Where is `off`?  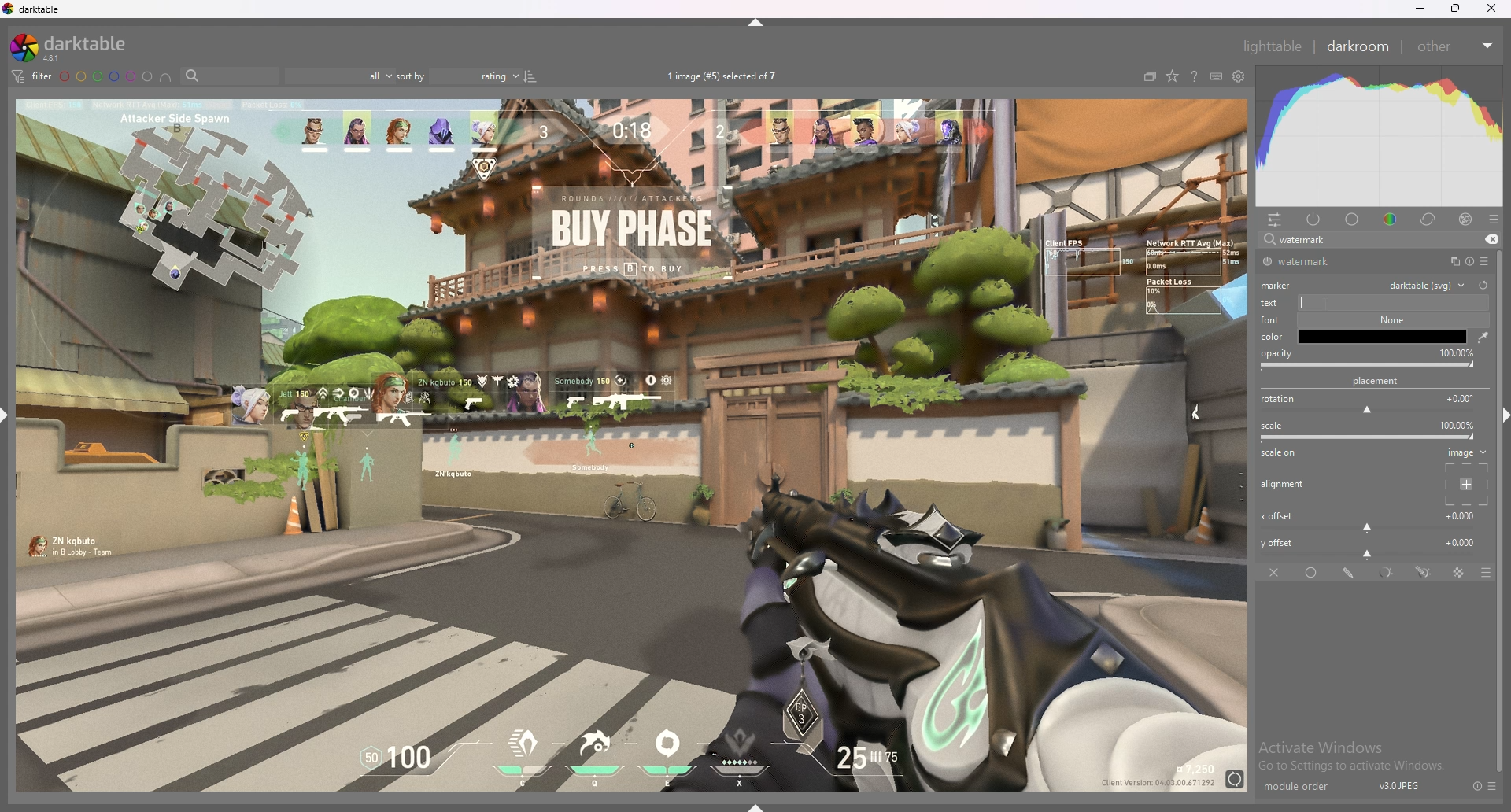 off is located at coordinates (1276, 572).